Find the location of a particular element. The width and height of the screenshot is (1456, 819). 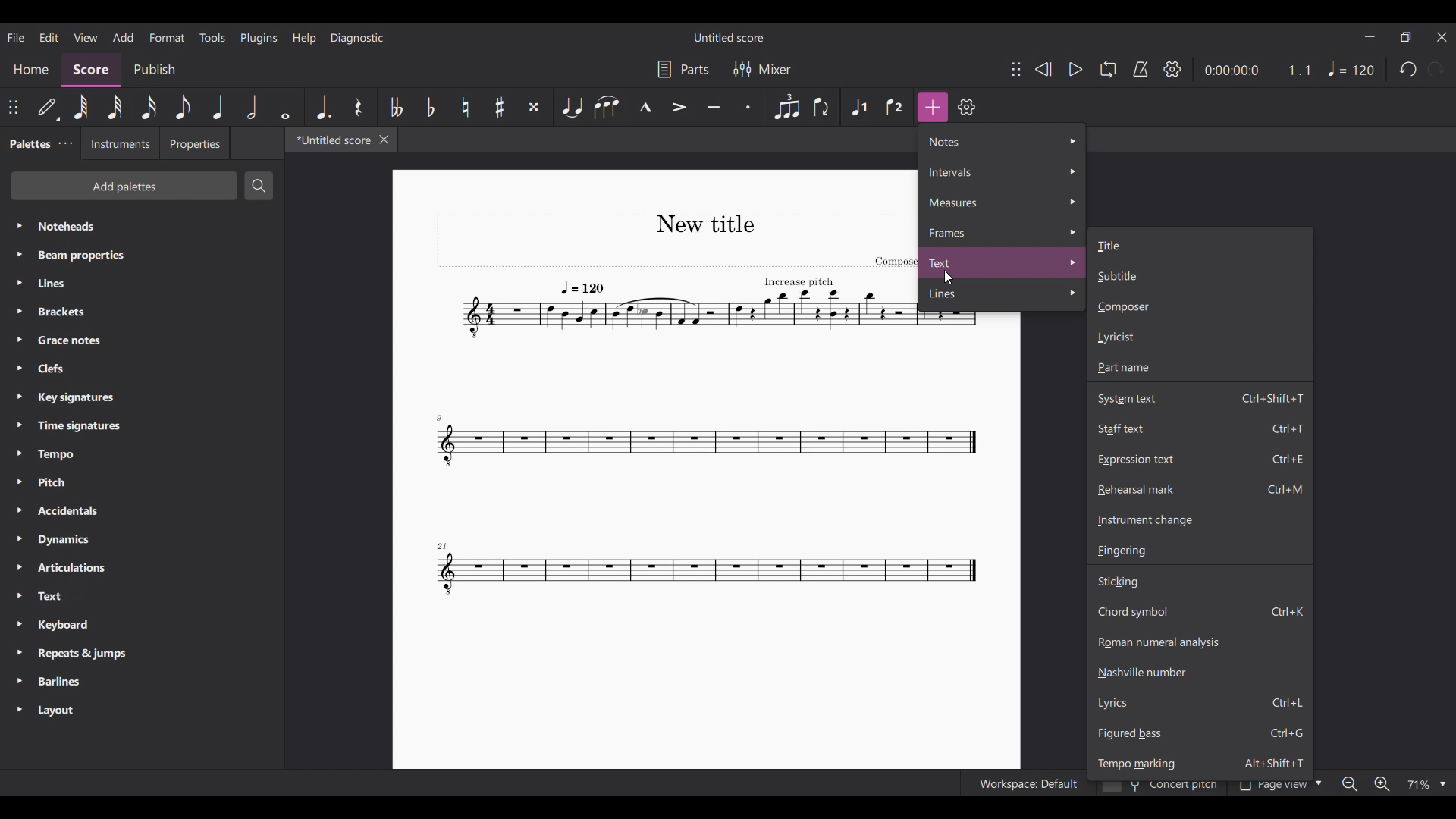

Publish section is located at coordinates (155, 70).